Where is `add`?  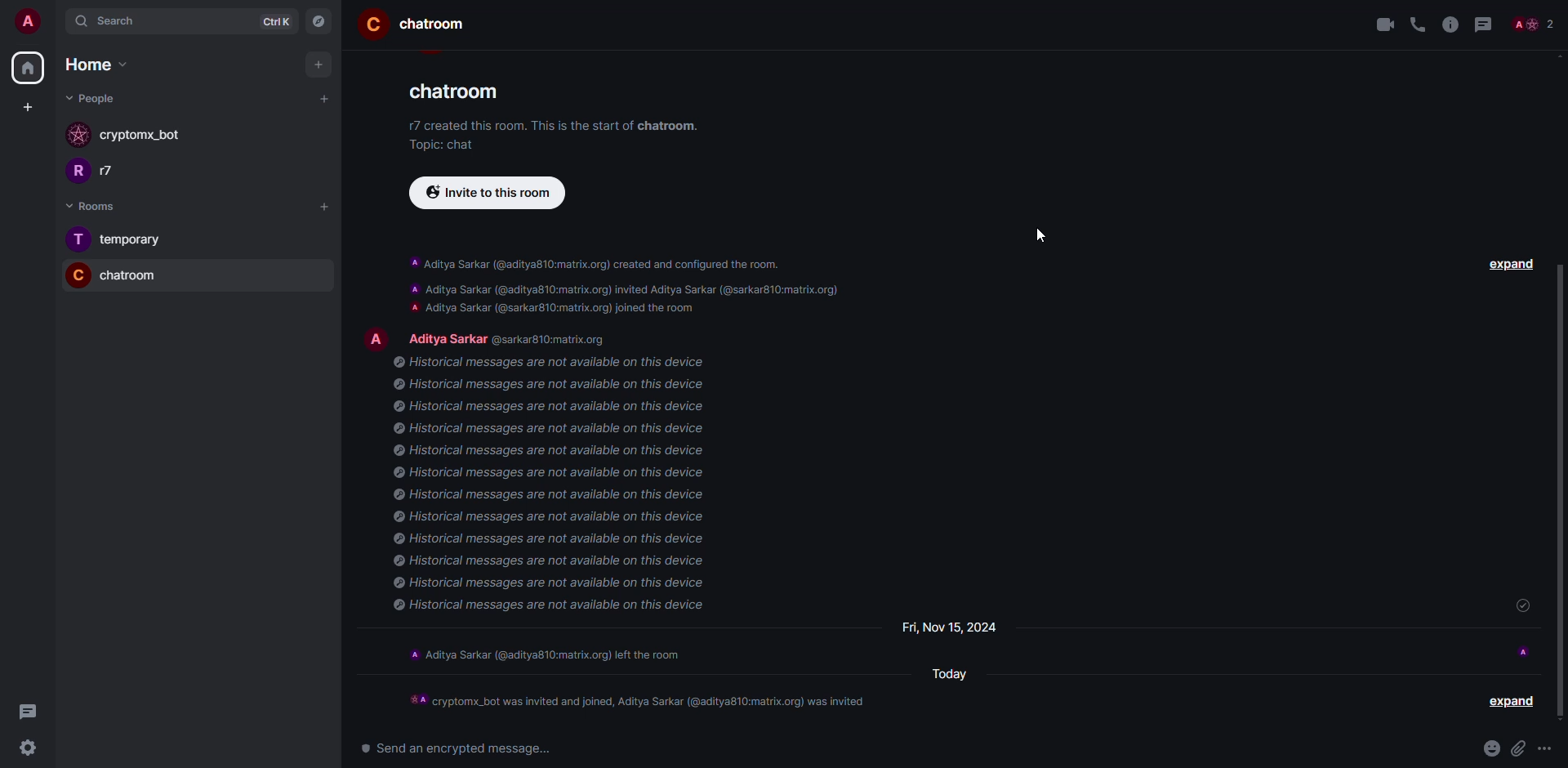
add is located at coordinates (326, 98).